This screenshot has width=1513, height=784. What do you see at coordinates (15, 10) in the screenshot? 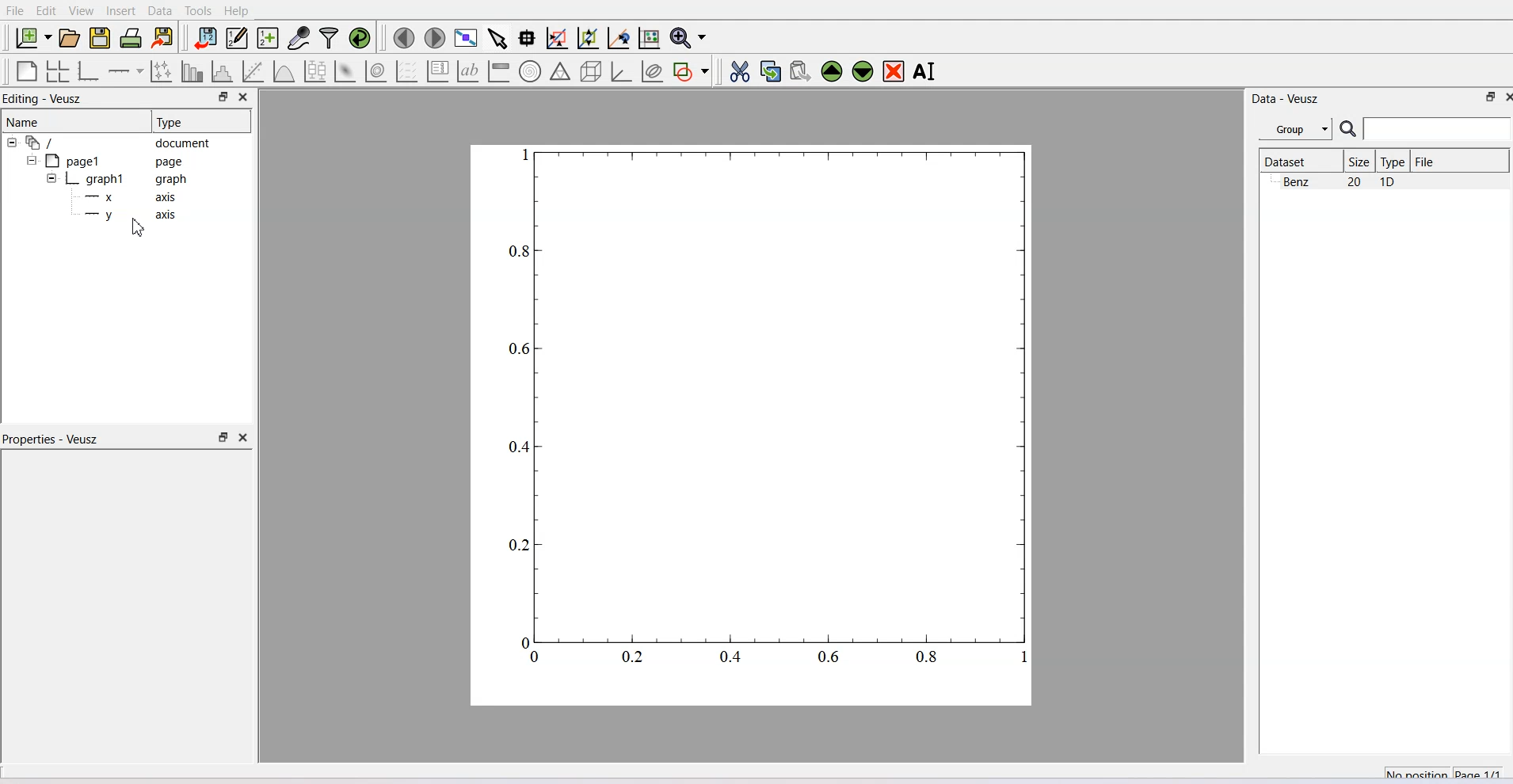
I see `File` at bounding box center [15, 10].